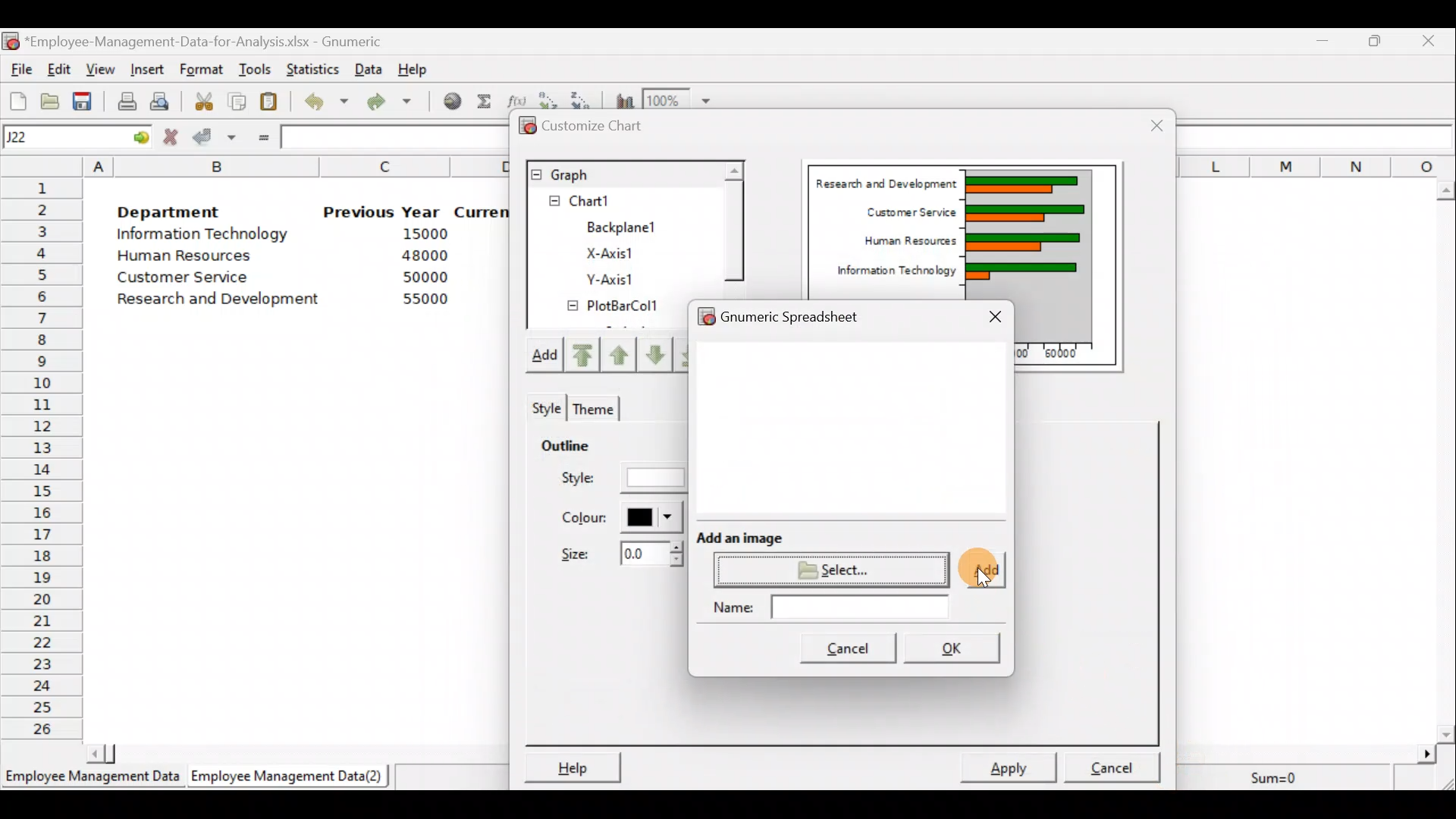 The image size is (1456, 819). What do you see at coordinates (219, 297) in the screenshot?
I see `Research and development` at bounding box center [219, 297].